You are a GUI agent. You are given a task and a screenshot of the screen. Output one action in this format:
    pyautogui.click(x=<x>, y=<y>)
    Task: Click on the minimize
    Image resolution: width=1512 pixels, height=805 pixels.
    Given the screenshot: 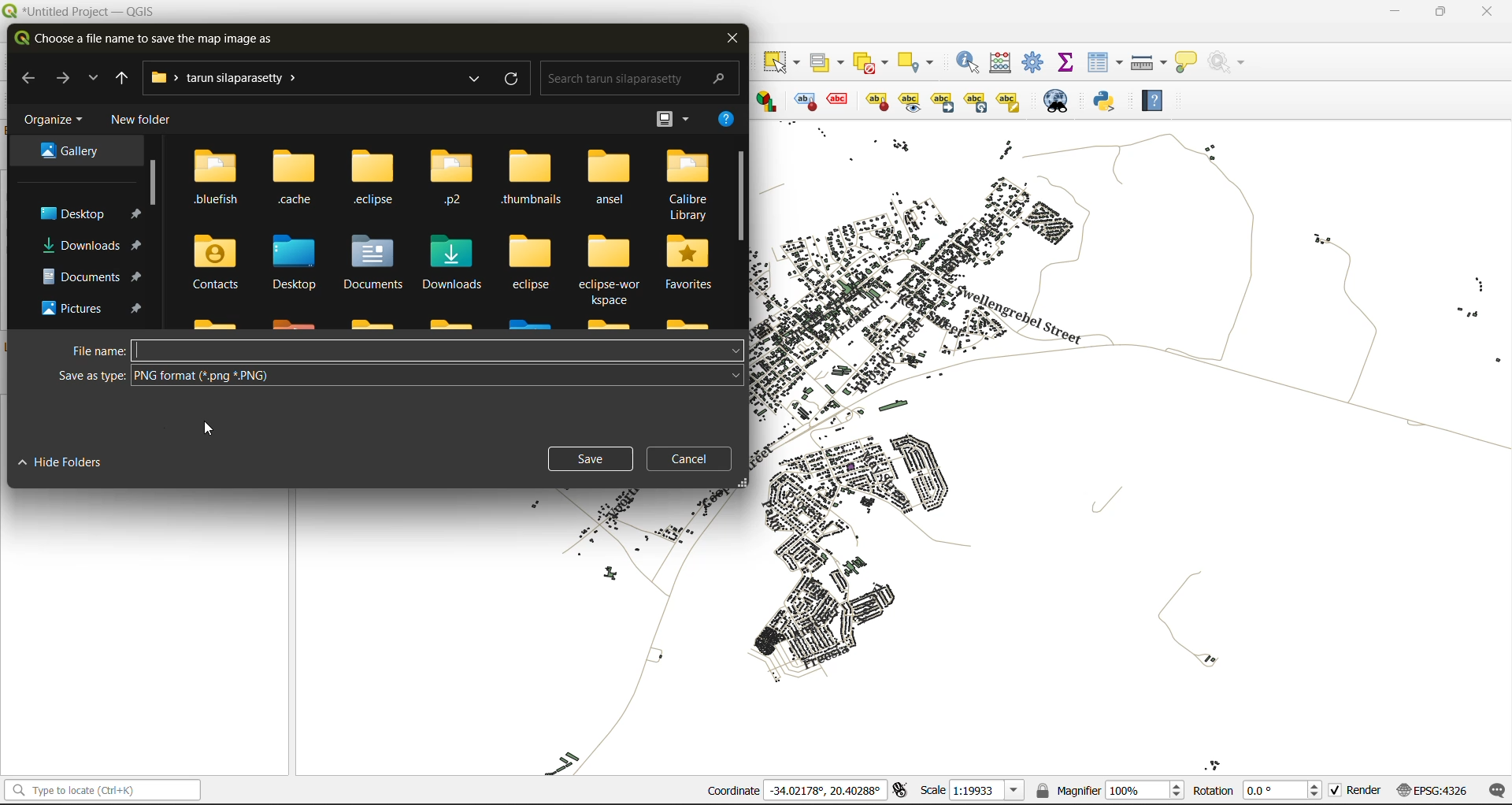 What is the action you would take?
    pyautogui.click(x=1394, y=12)
    